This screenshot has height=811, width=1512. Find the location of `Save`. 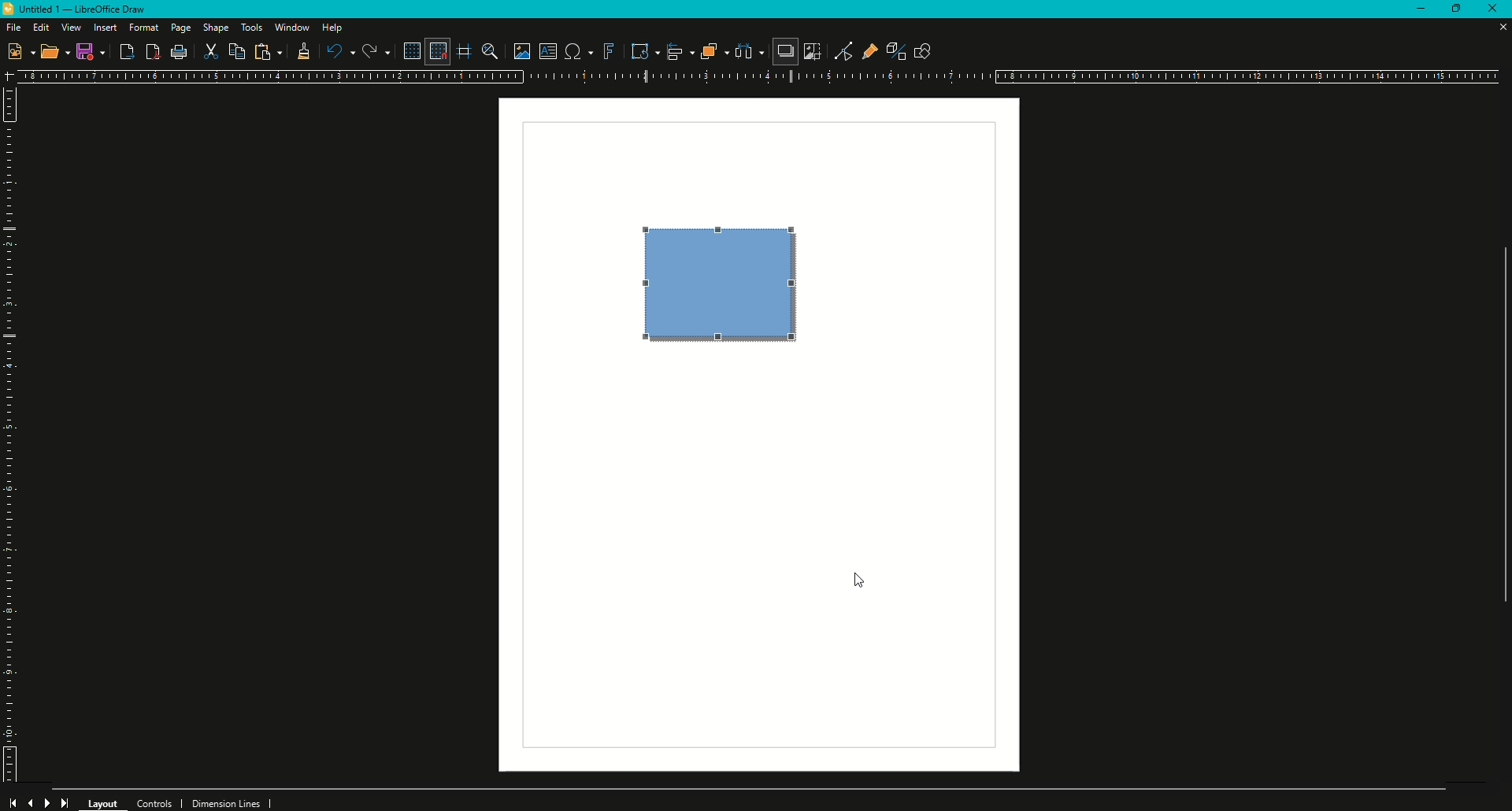

Save is located at coordinates (91, 51).